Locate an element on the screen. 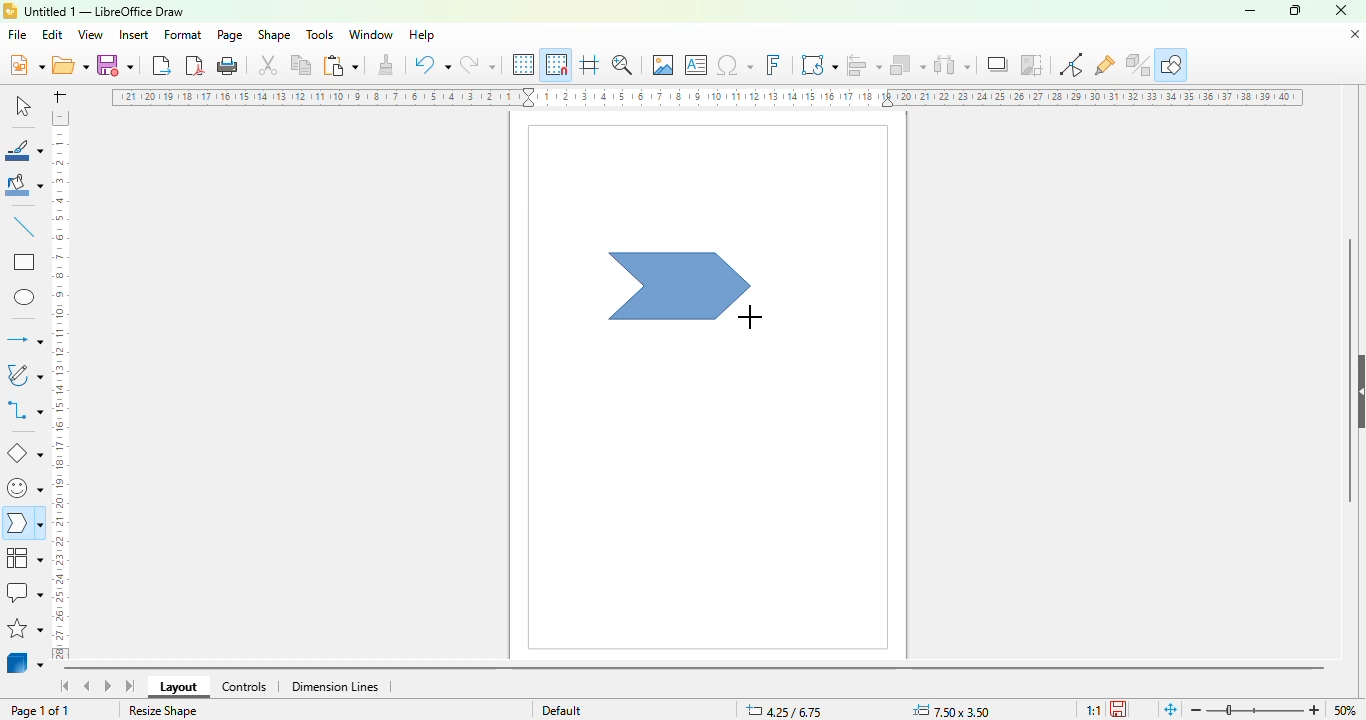 The height and width of the screenshot is (720, 1366). insert line is located at coordinates (25, 226).